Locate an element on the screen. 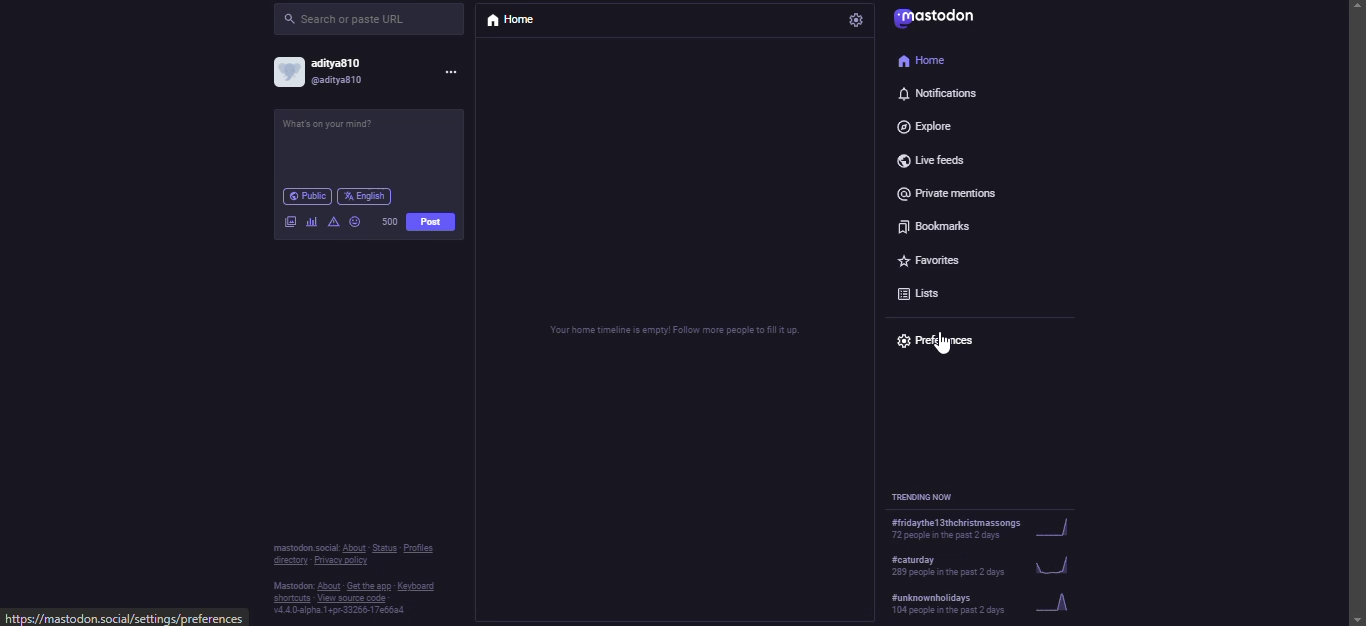  home is located at coordinates (926, 62).